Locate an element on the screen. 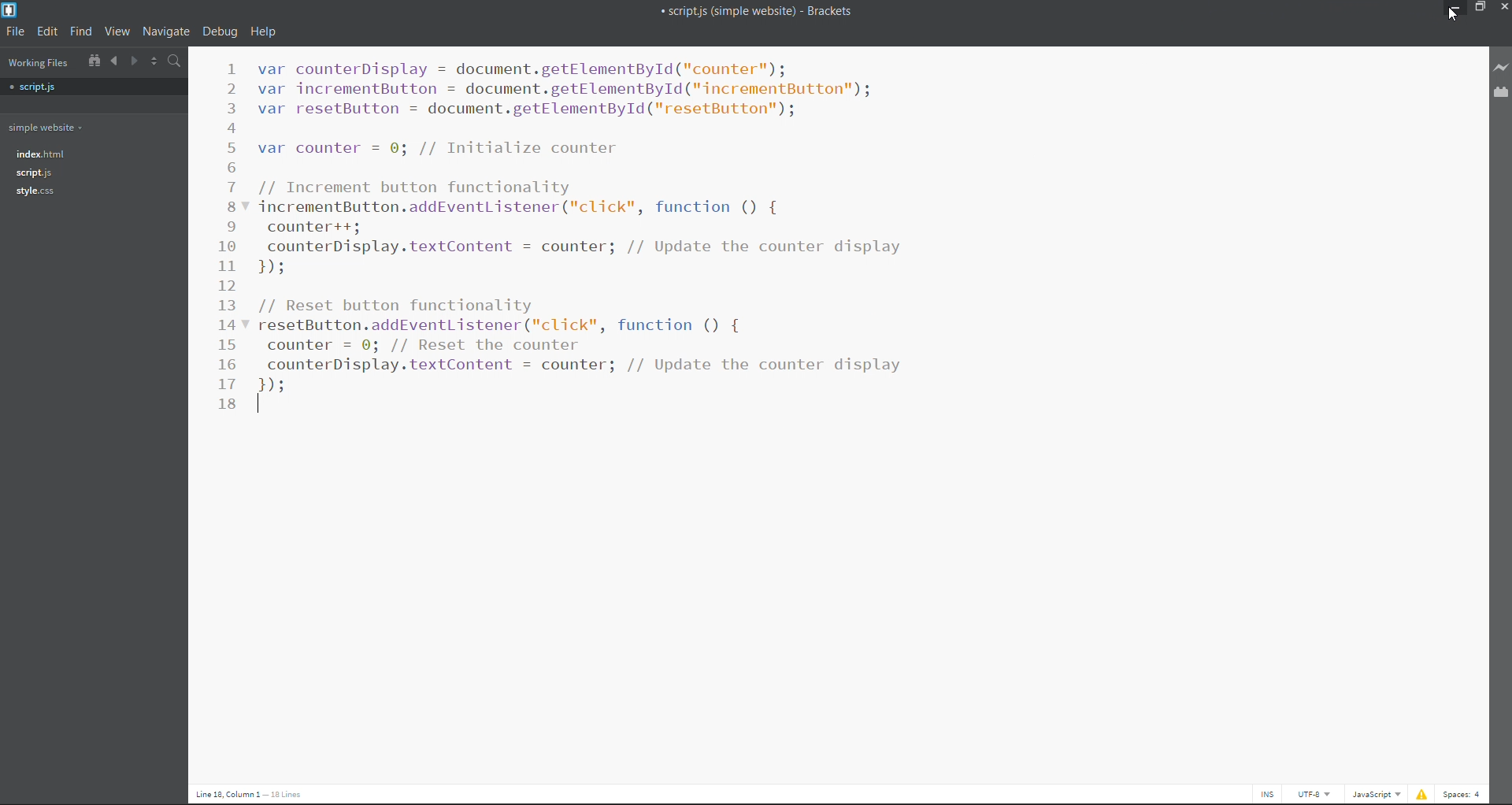  navigate is located at coordinates (169, 31).